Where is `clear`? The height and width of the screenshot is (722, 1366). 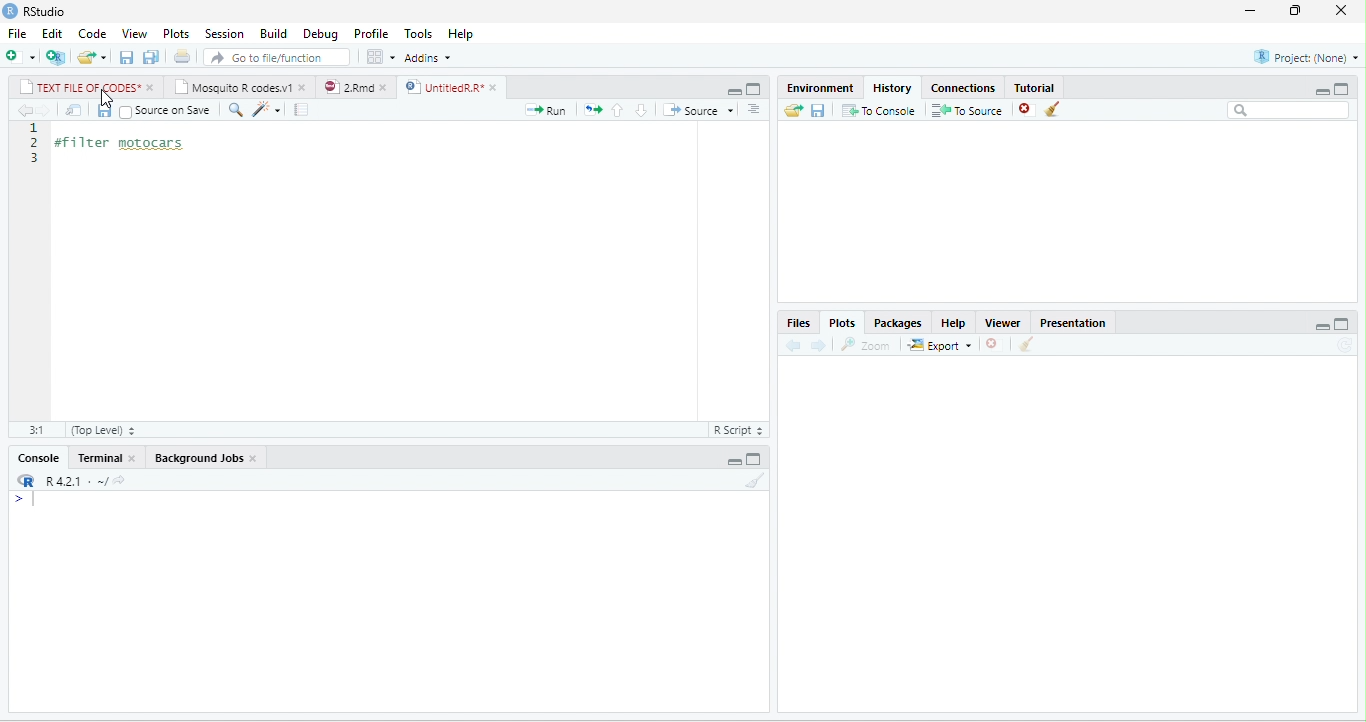 clear is located at coordinates (756, 480).